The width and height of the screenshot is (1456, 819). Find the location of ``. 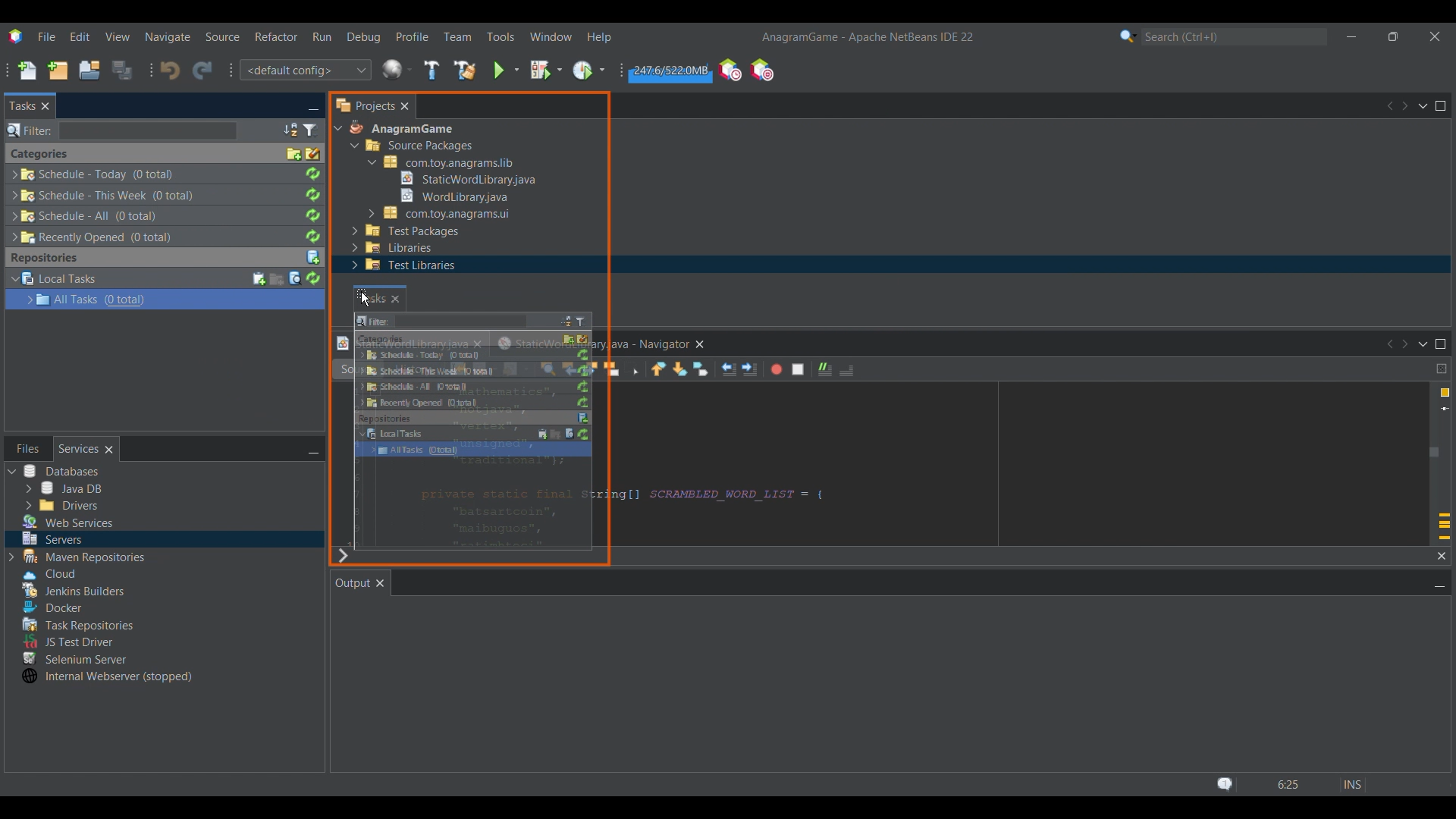

 is located at coordinates (76, 657).